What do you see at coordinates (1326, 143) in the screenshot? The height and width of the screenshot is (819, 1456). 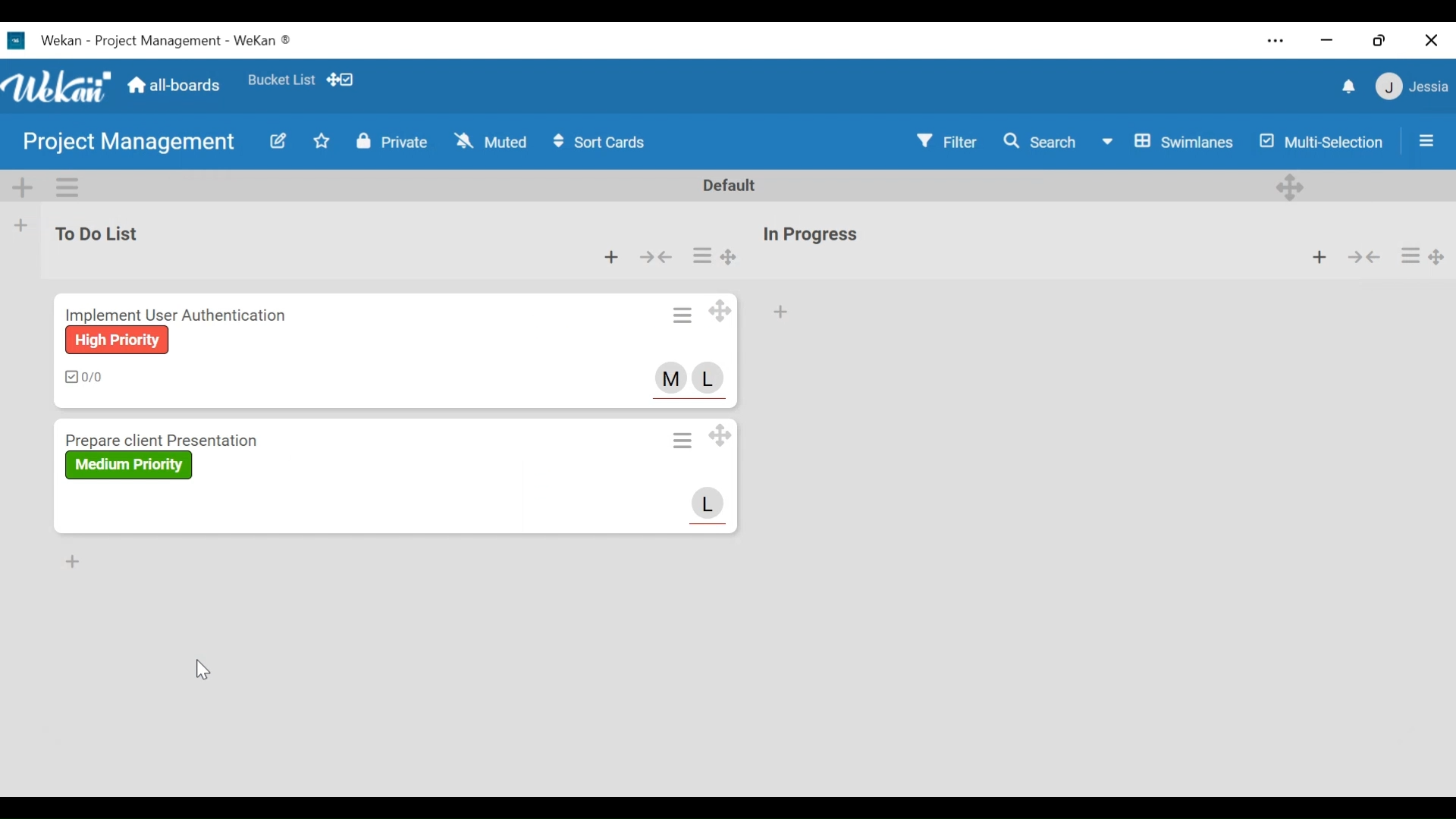 I see `Multi-Selection` at bounding box center [1326, 143].